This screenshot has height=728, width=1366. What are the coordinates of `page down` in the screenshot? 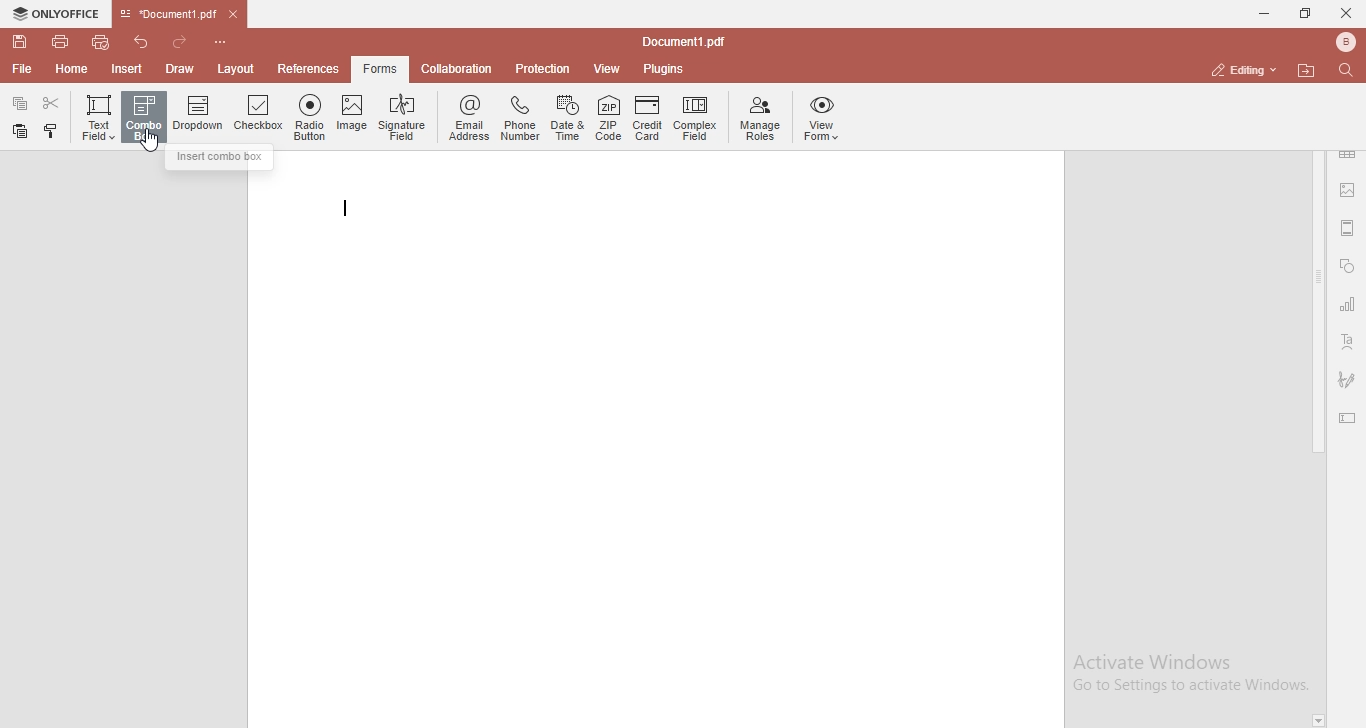 It's located at (1318, 721).